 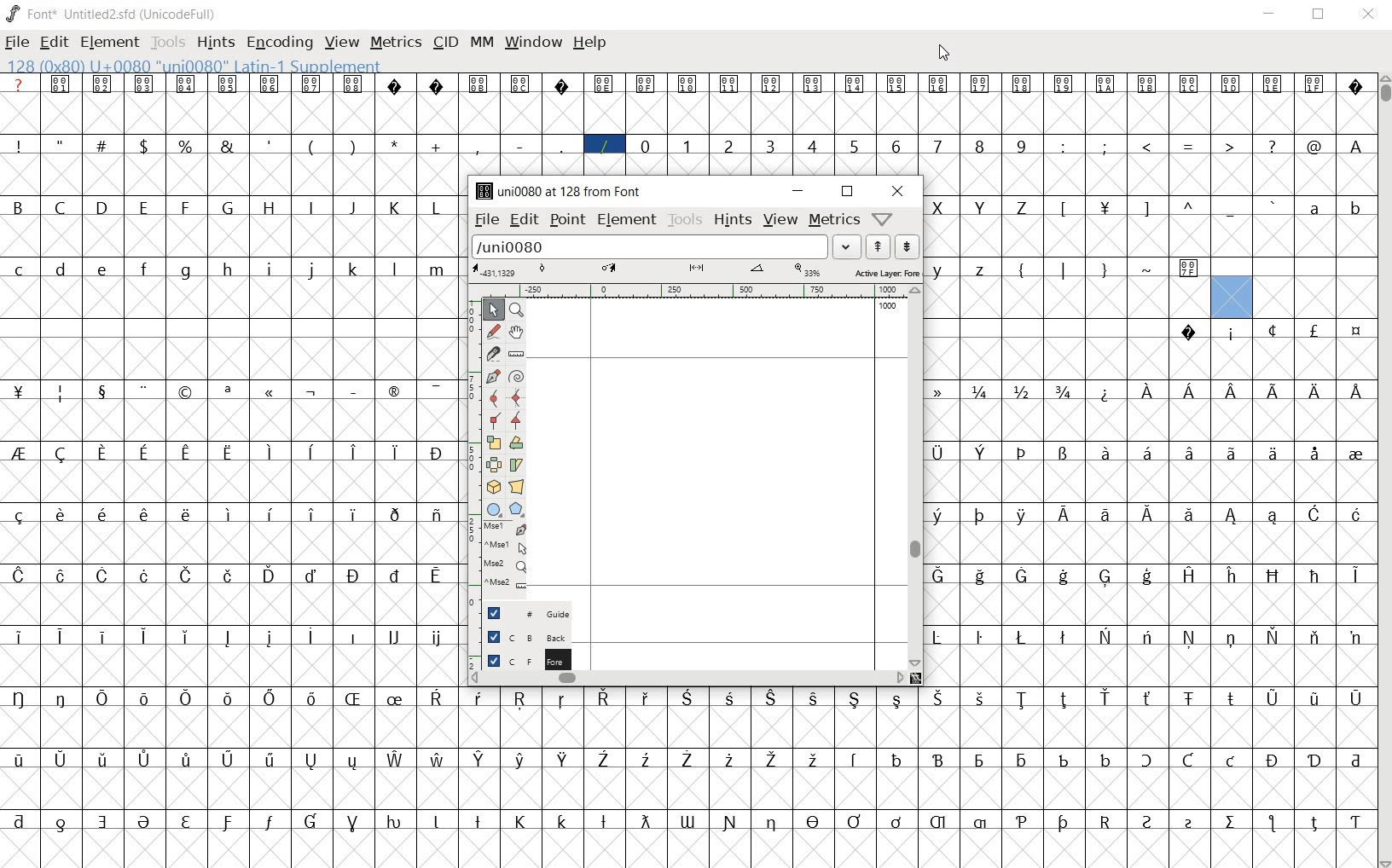 What do you see at coordinates (20, 270) in the screenshot?
I see `glyph` at bounding box center [20, 270].